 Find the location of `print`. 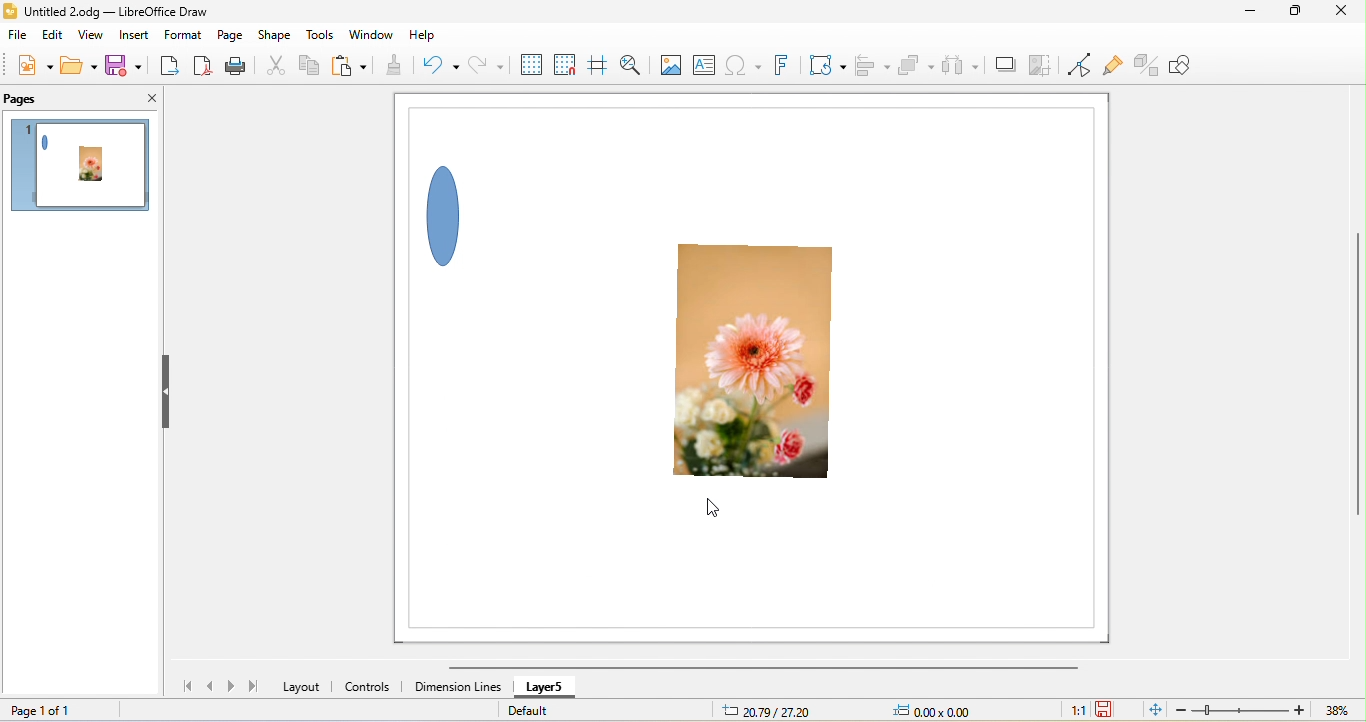

print is located at coordinates (243, 67).